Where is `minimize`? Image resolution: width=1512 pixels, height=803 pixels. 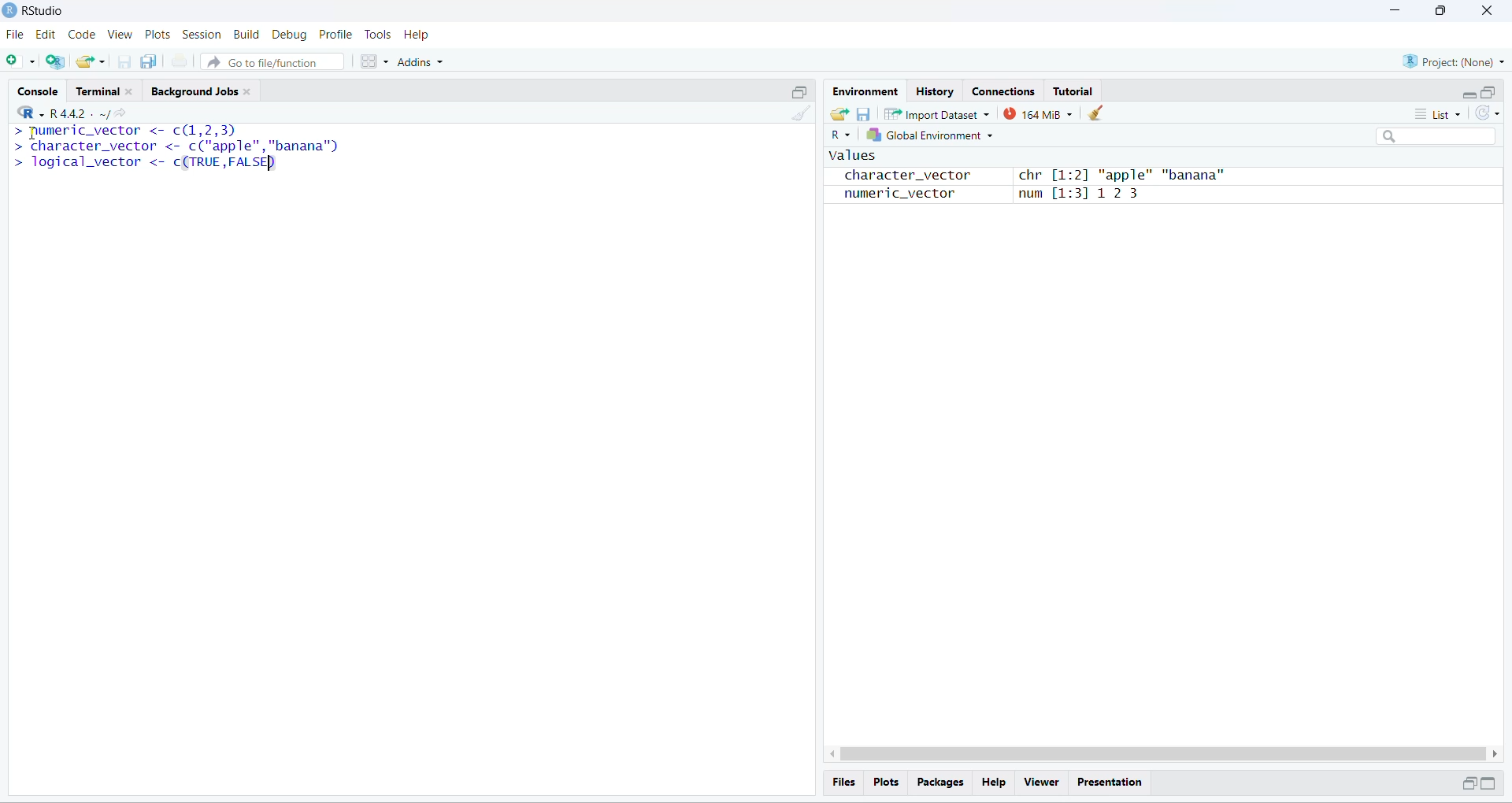 minimize is located at coordinates (1392, 10).